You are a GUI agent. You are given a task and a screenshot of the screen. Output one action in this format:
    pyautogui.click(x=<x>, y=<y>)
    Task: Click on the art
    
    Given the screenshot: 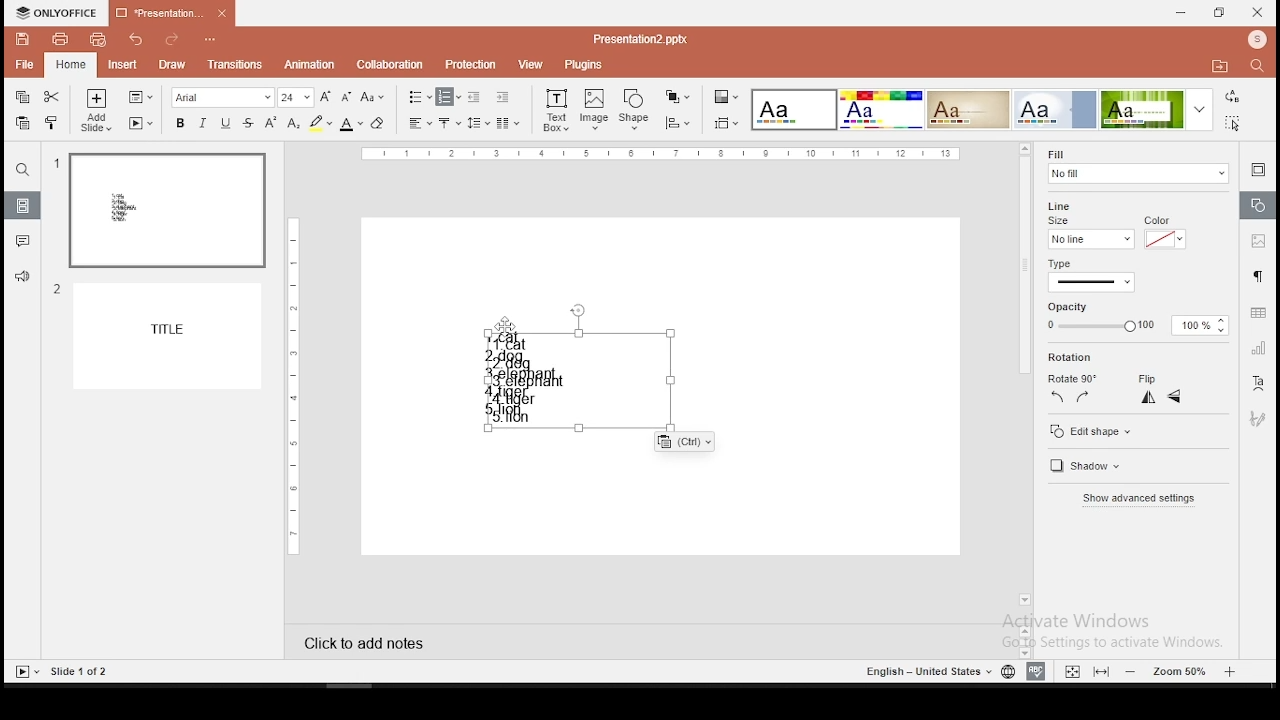 What is the action you would take?
    pyautogui.click(x=1260, y=418)
    